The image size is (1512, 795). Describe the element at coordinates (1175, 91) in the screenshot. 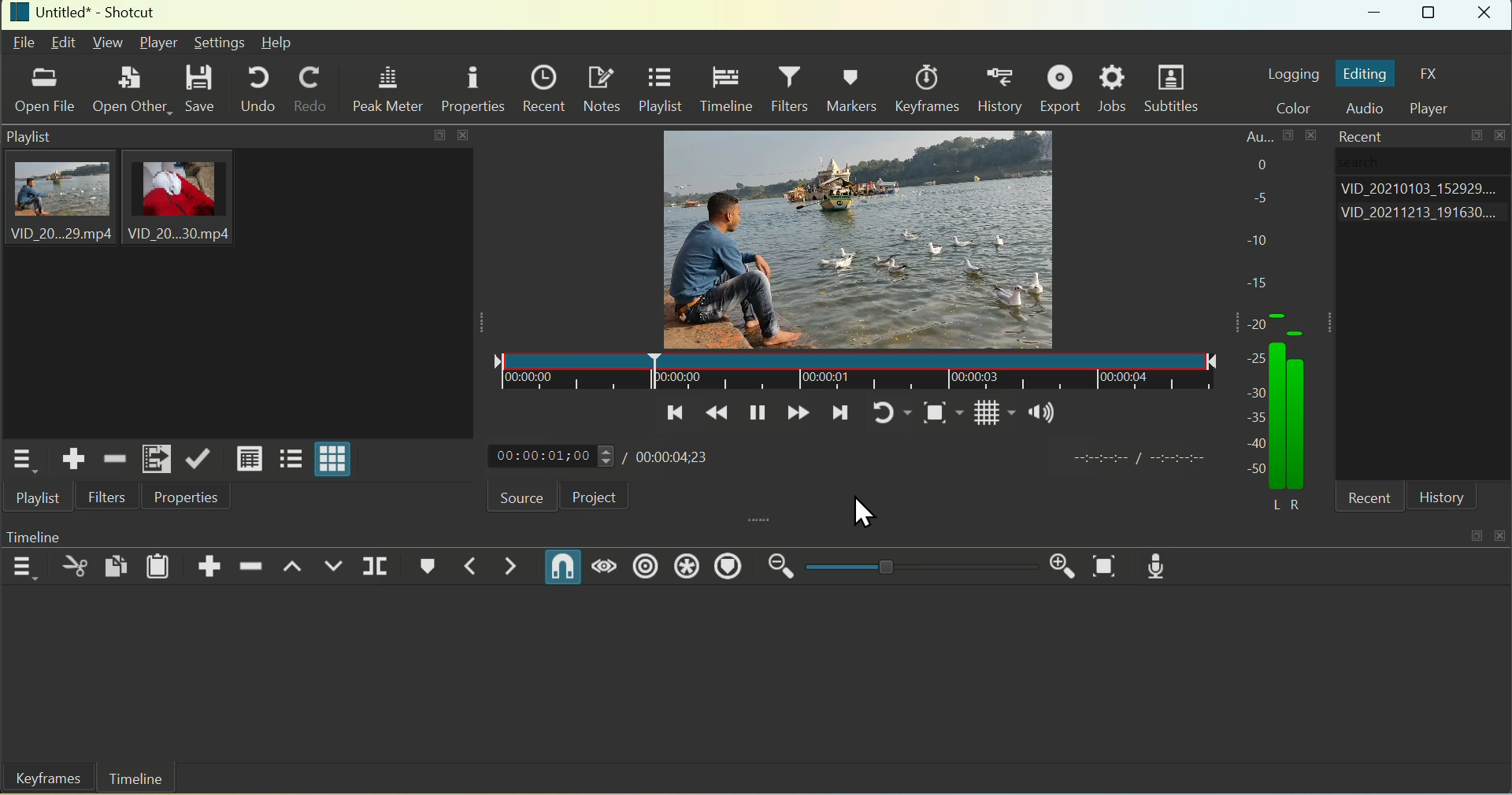

I see `Subtitles` at that location.